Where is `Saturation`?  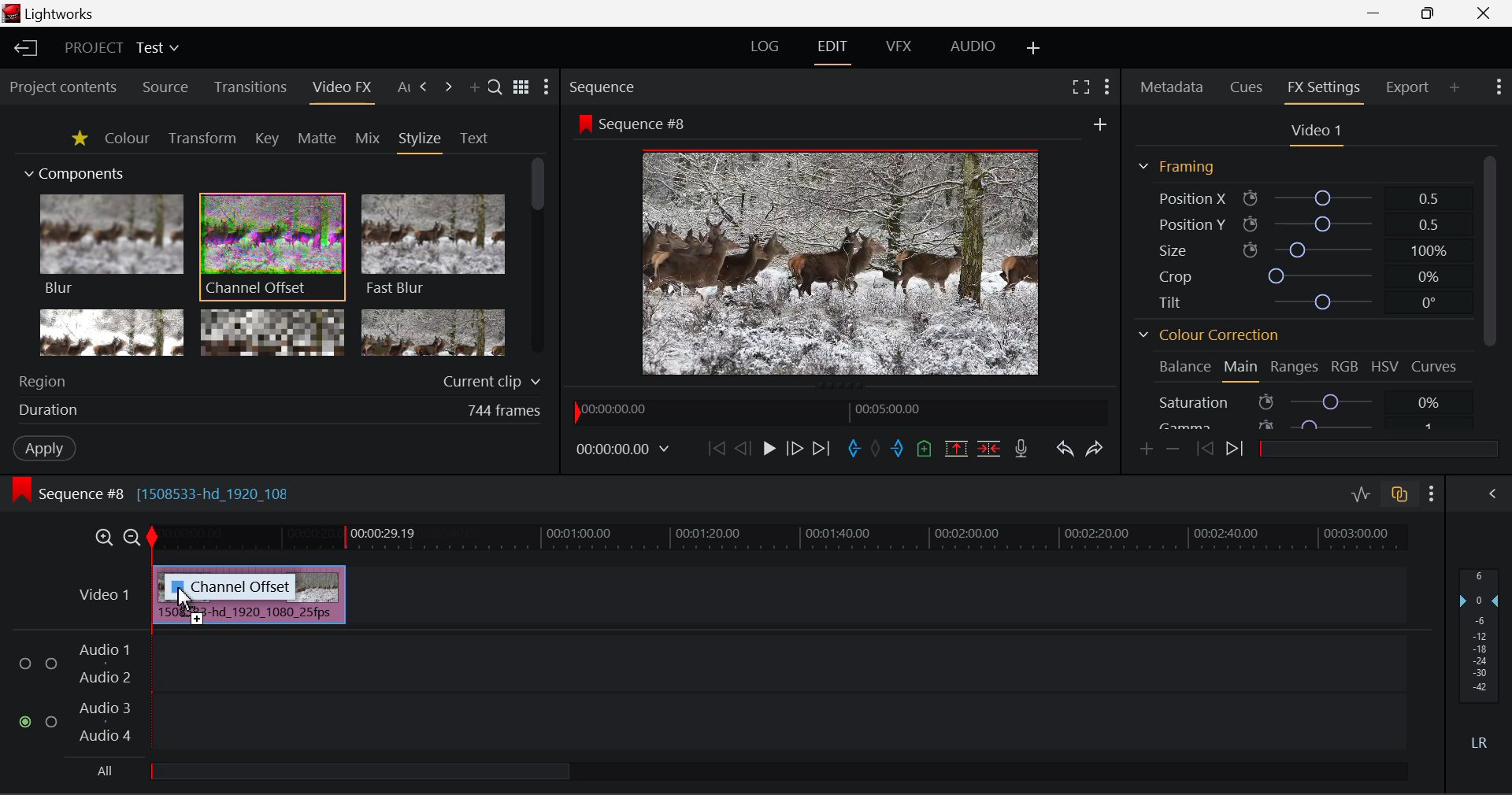 Saturation is located at coordinates (1299, 401).